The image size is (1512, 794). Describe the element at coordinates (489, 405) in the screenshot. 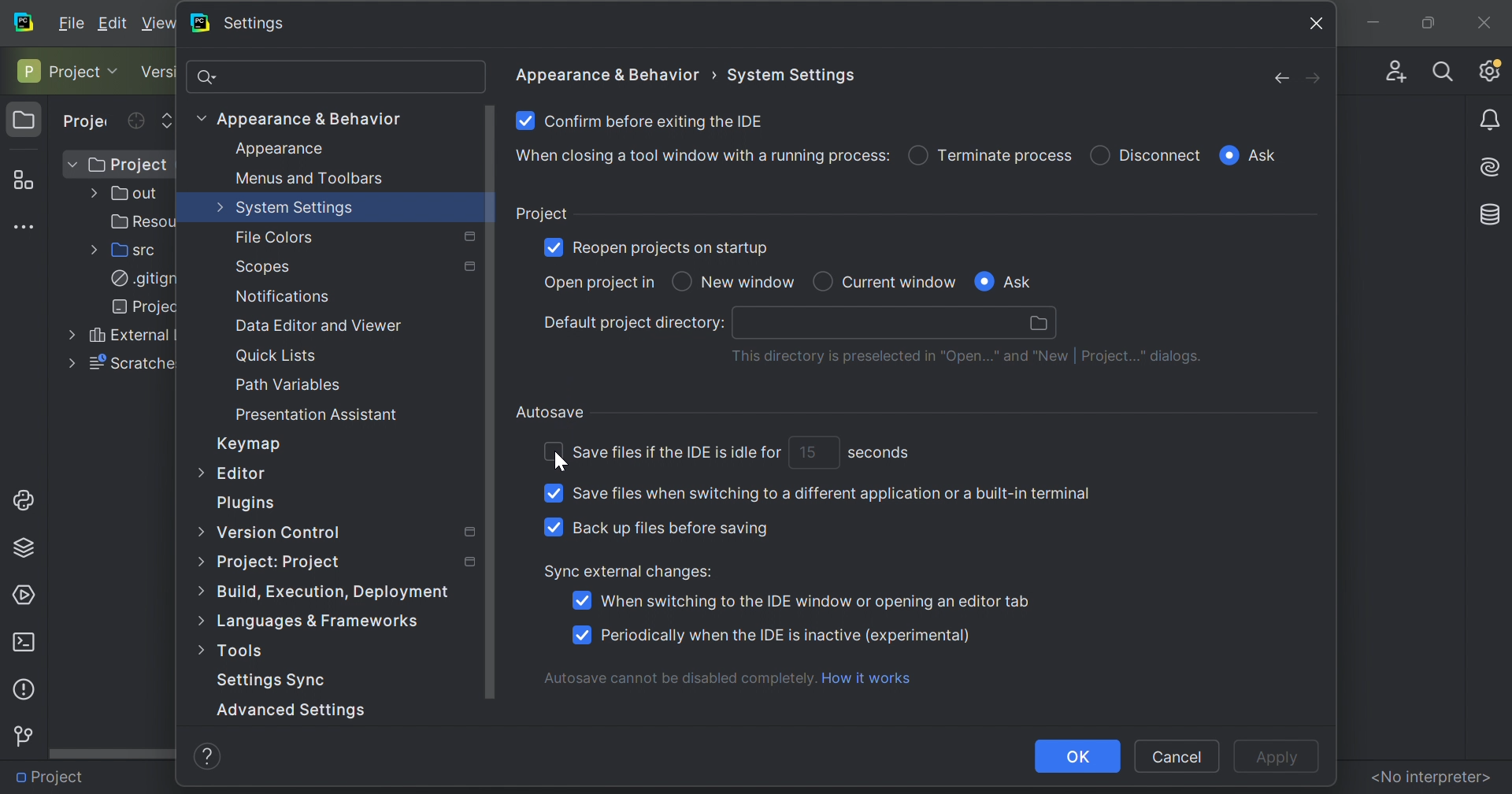

I see `Scroll bar` at that location.